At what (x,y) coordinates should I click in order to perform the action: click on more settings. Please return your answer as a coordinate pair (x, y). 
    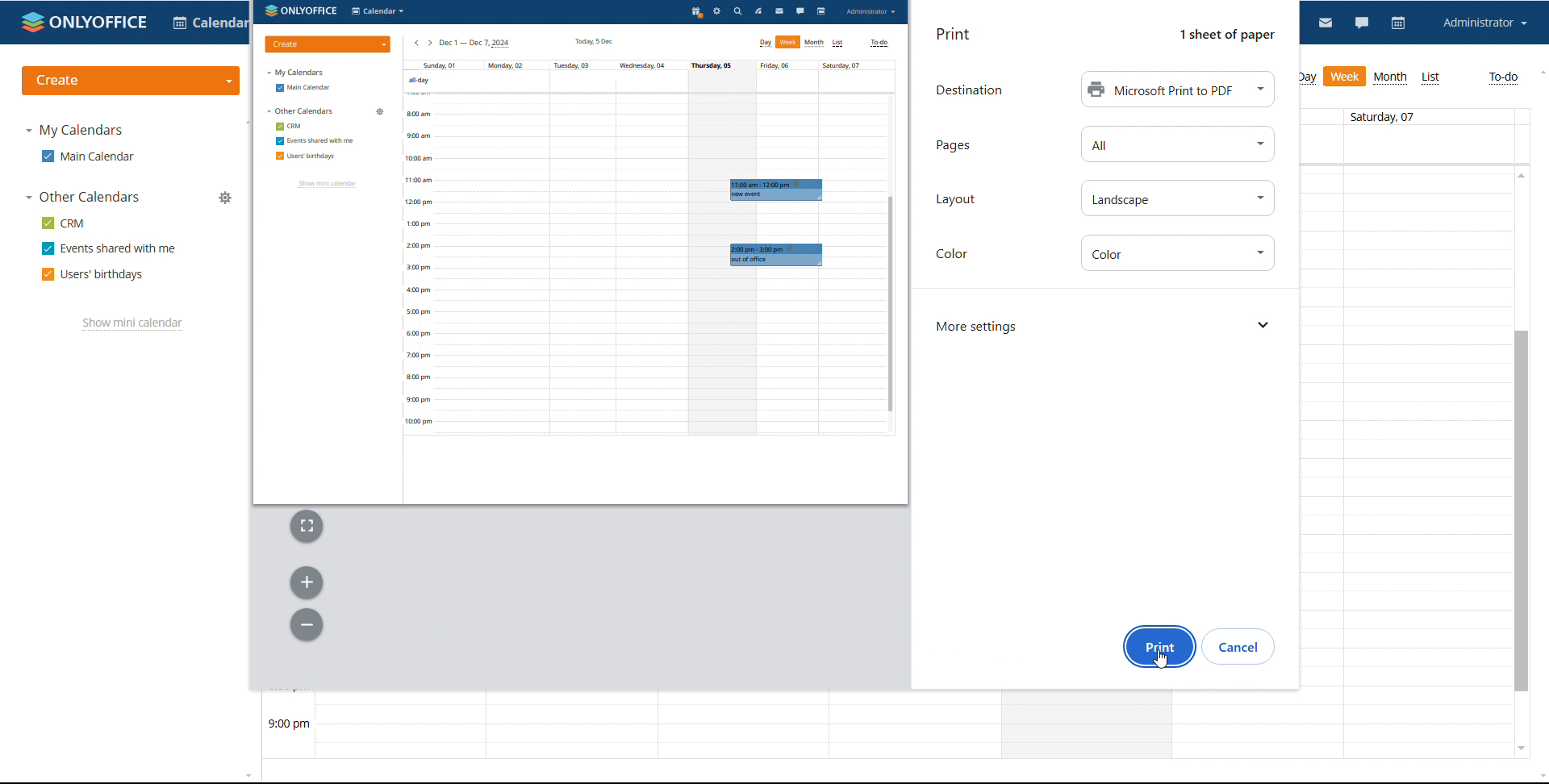
    Looking at the image, I should click on (1104, 325).